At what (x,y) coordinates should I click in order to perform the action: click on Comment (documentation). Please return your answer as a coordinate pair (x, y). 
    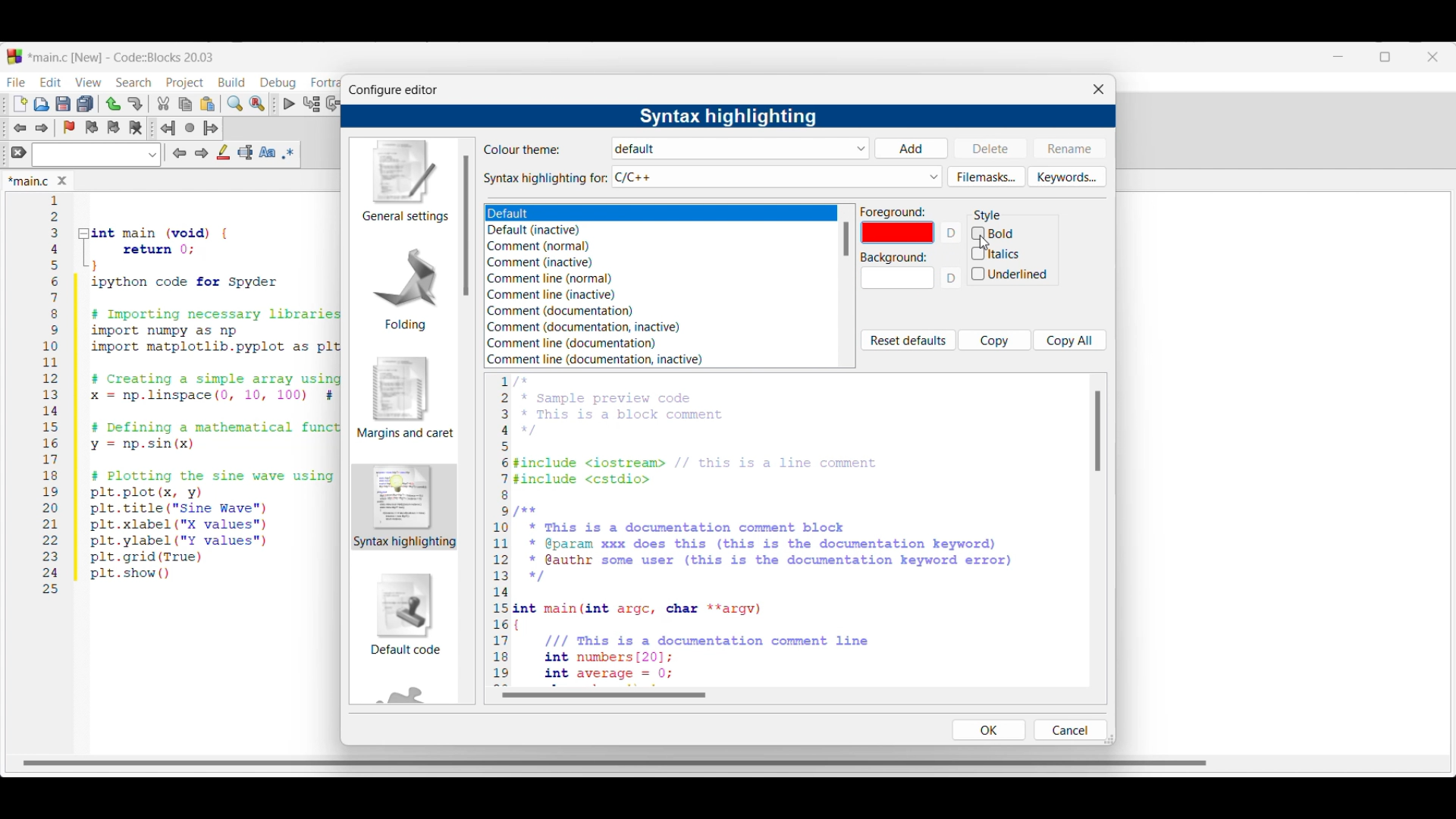
    Looking at the image, I should click on (560, 311).